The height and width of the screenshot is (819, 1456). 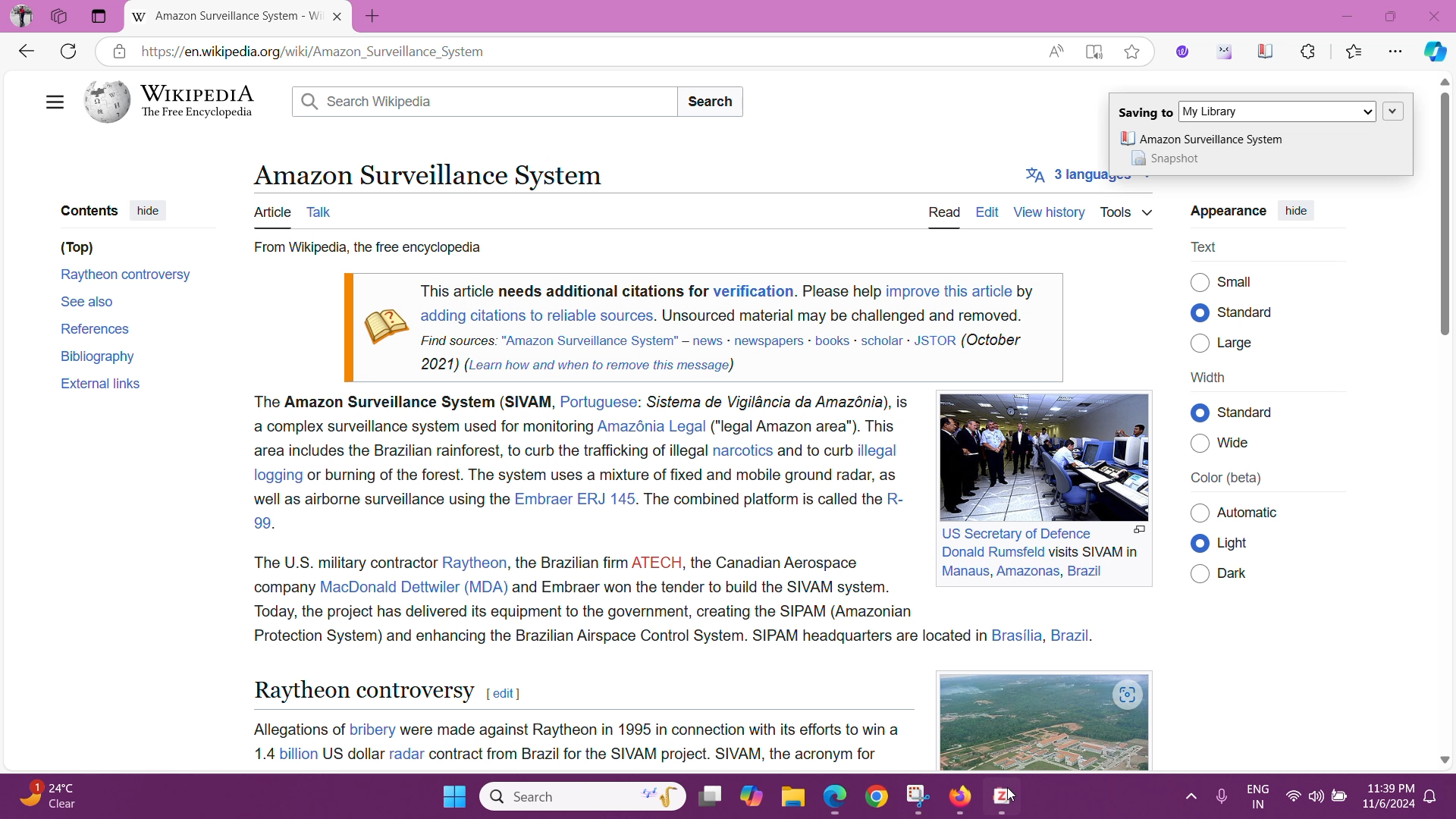 I want to click on Unselected, so click(x=1200, y=342).